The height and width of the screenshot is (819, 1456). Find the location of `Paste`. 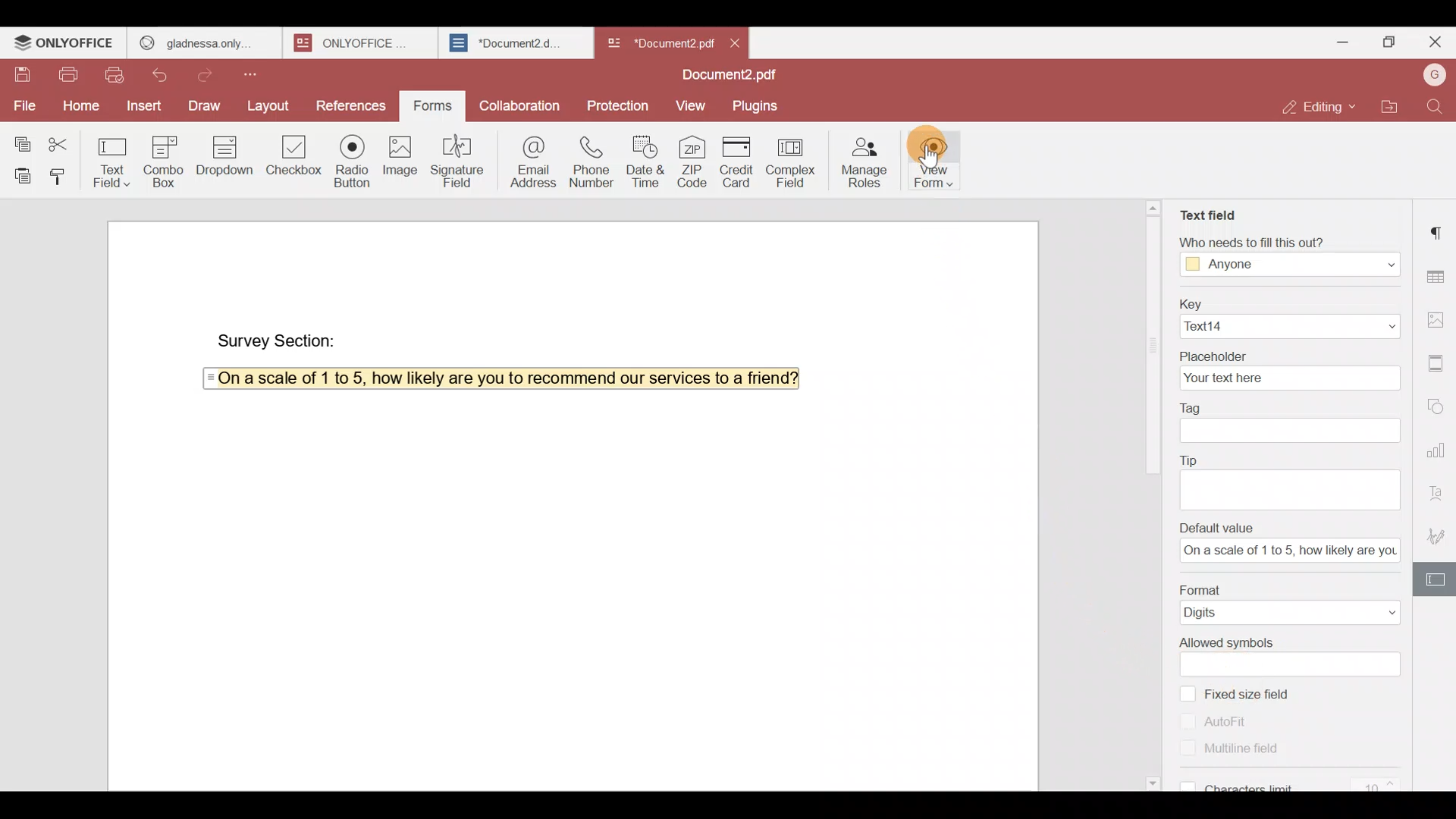

Paste is located at coordinates (18, 173).